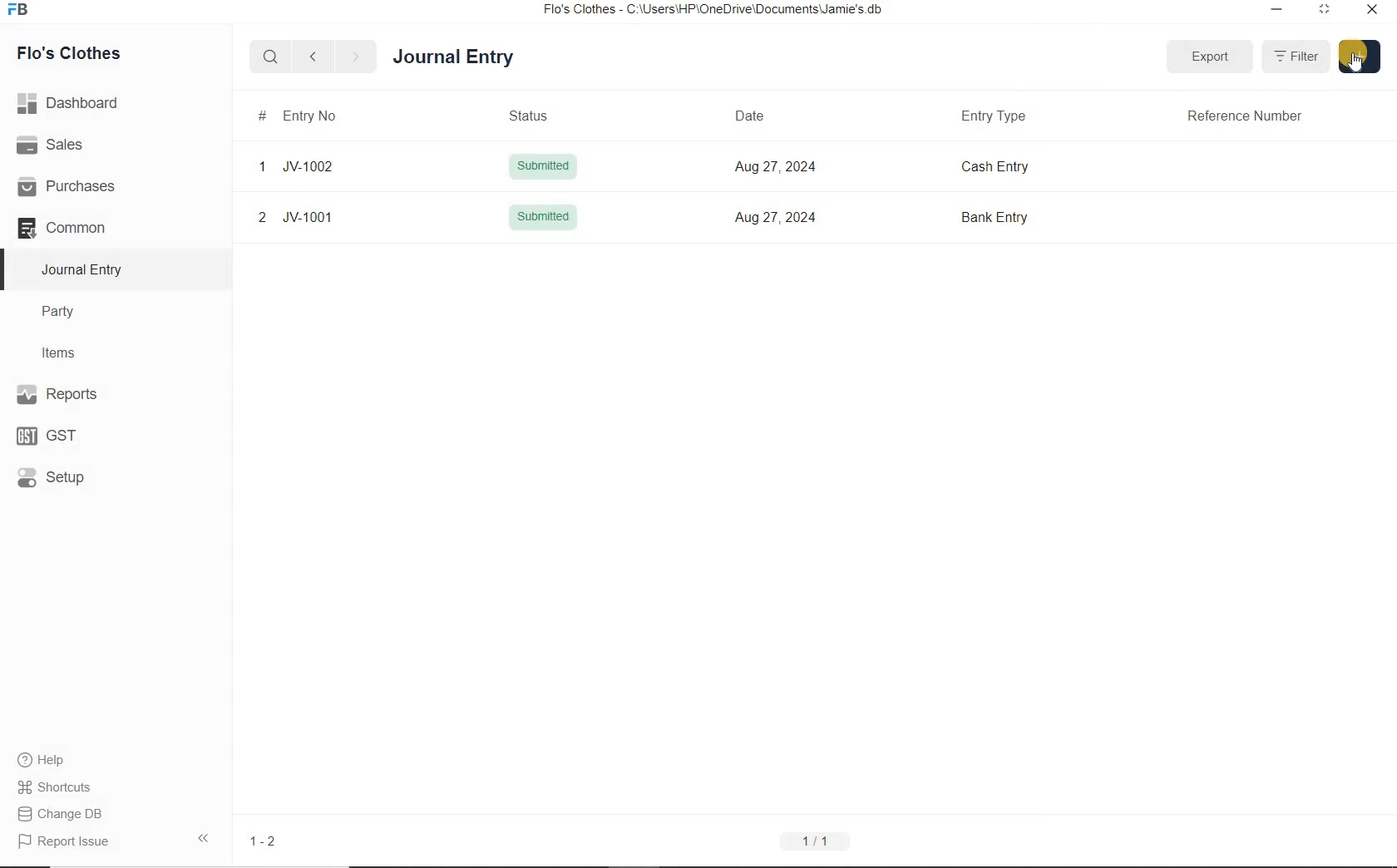 The height and width of the screenshot is (868, 1397). I want to click on maximize, so click(1325, 8).